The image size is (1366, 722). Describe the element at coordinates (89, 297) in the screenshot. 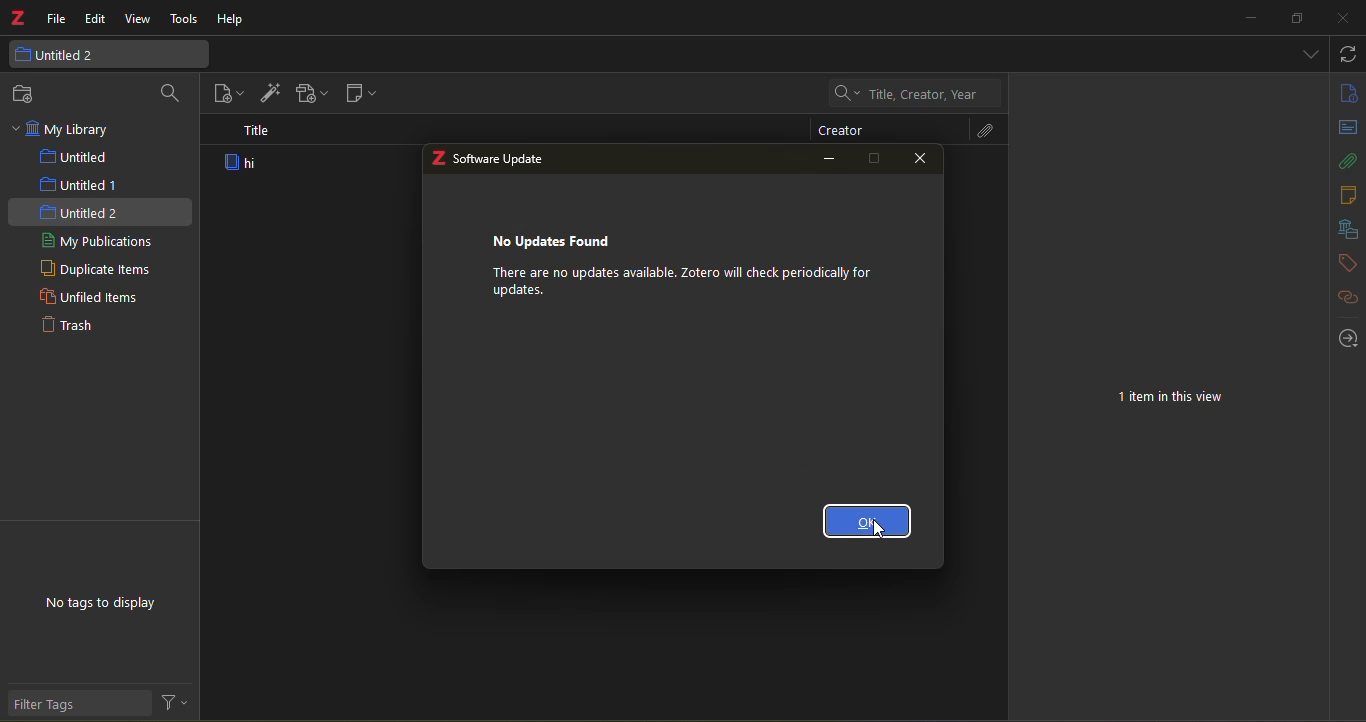

I see `unfiled items` at that location.